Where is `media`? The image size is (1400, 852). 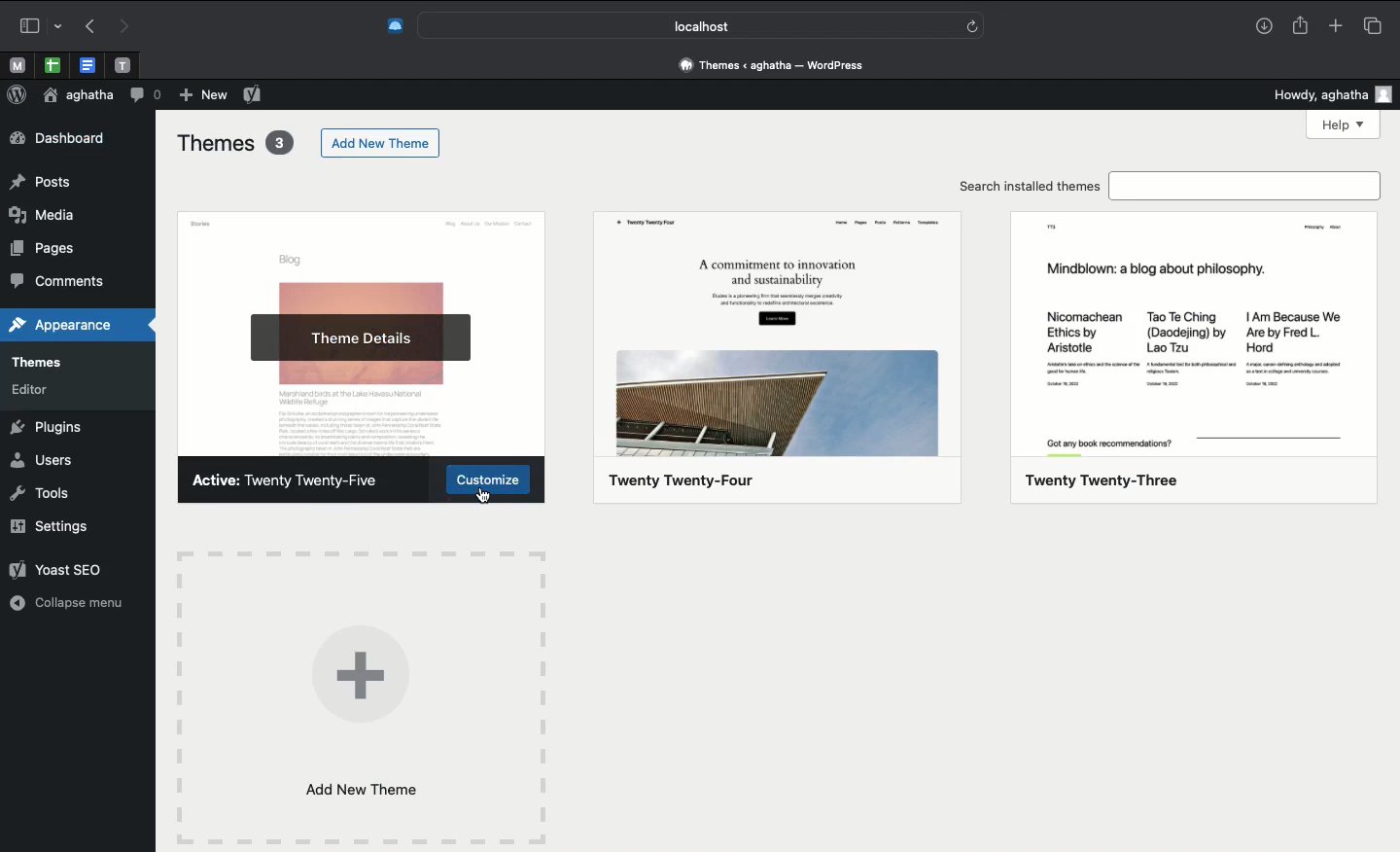 media is located at coordinates (47, 215).